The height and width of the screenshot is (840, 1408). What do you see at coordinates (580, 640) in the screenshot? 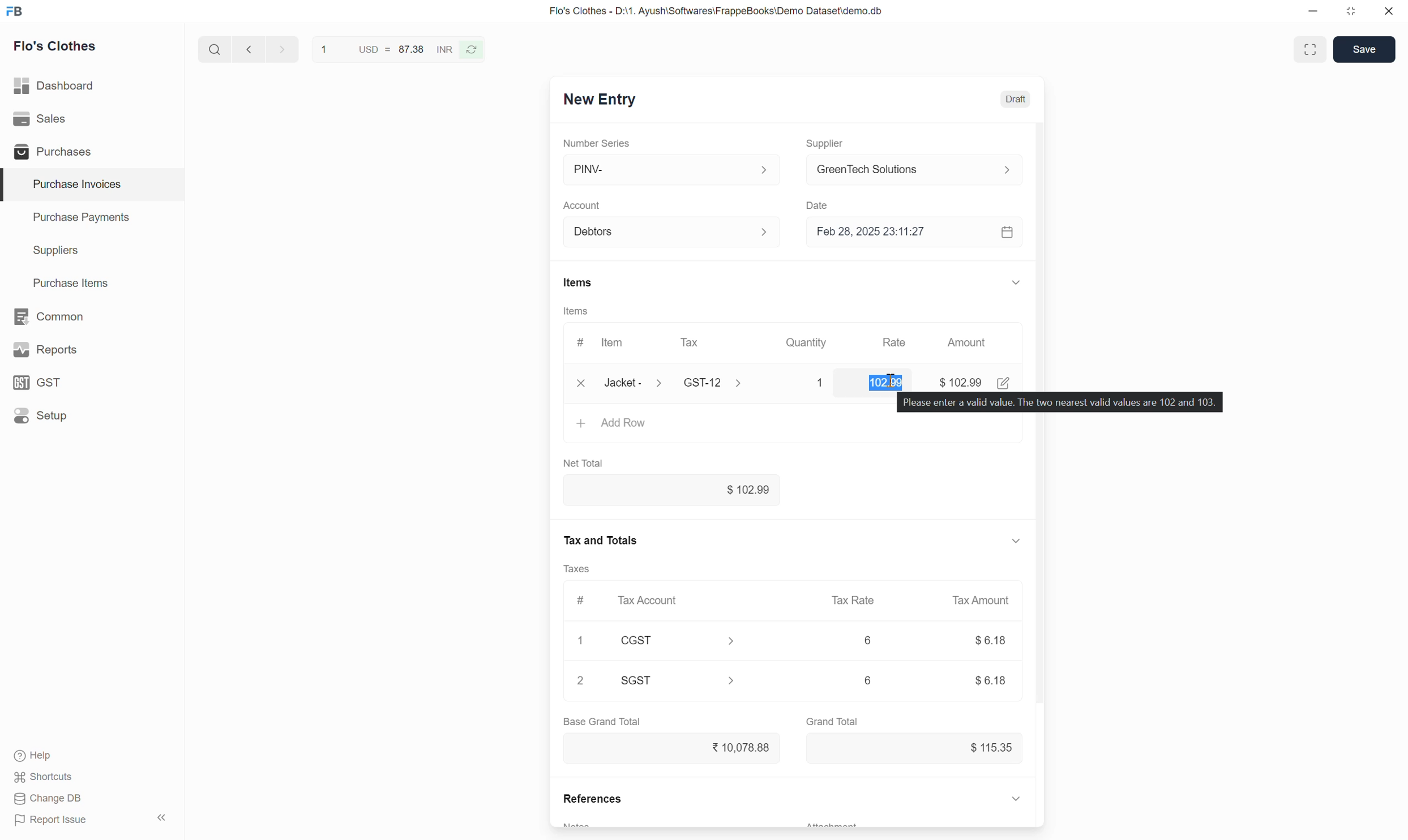
I see `1` at bounding box center [580, 640].